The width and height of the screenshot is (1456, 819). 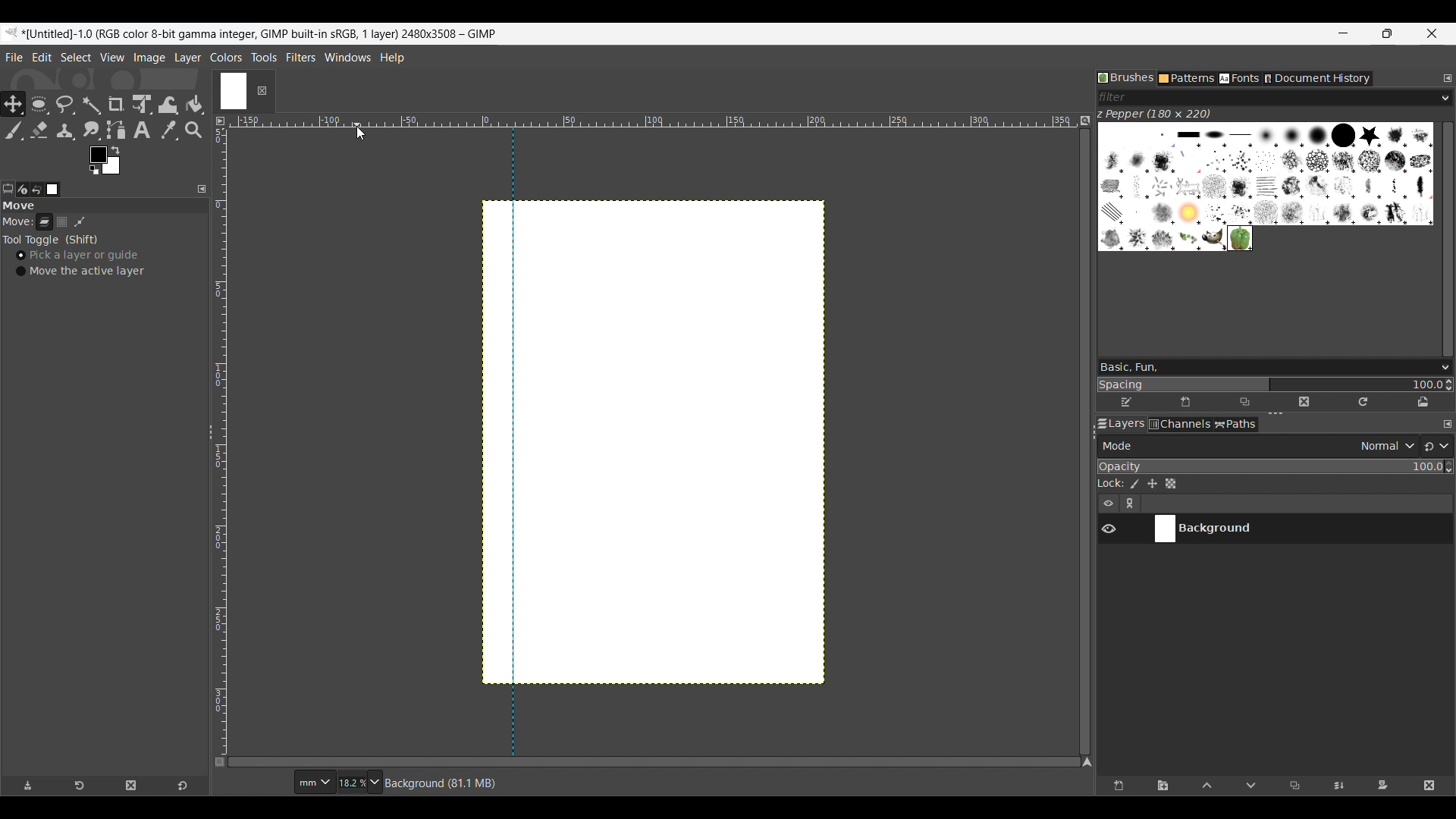 I want to click on Current tab, so click(x=232, y=89).